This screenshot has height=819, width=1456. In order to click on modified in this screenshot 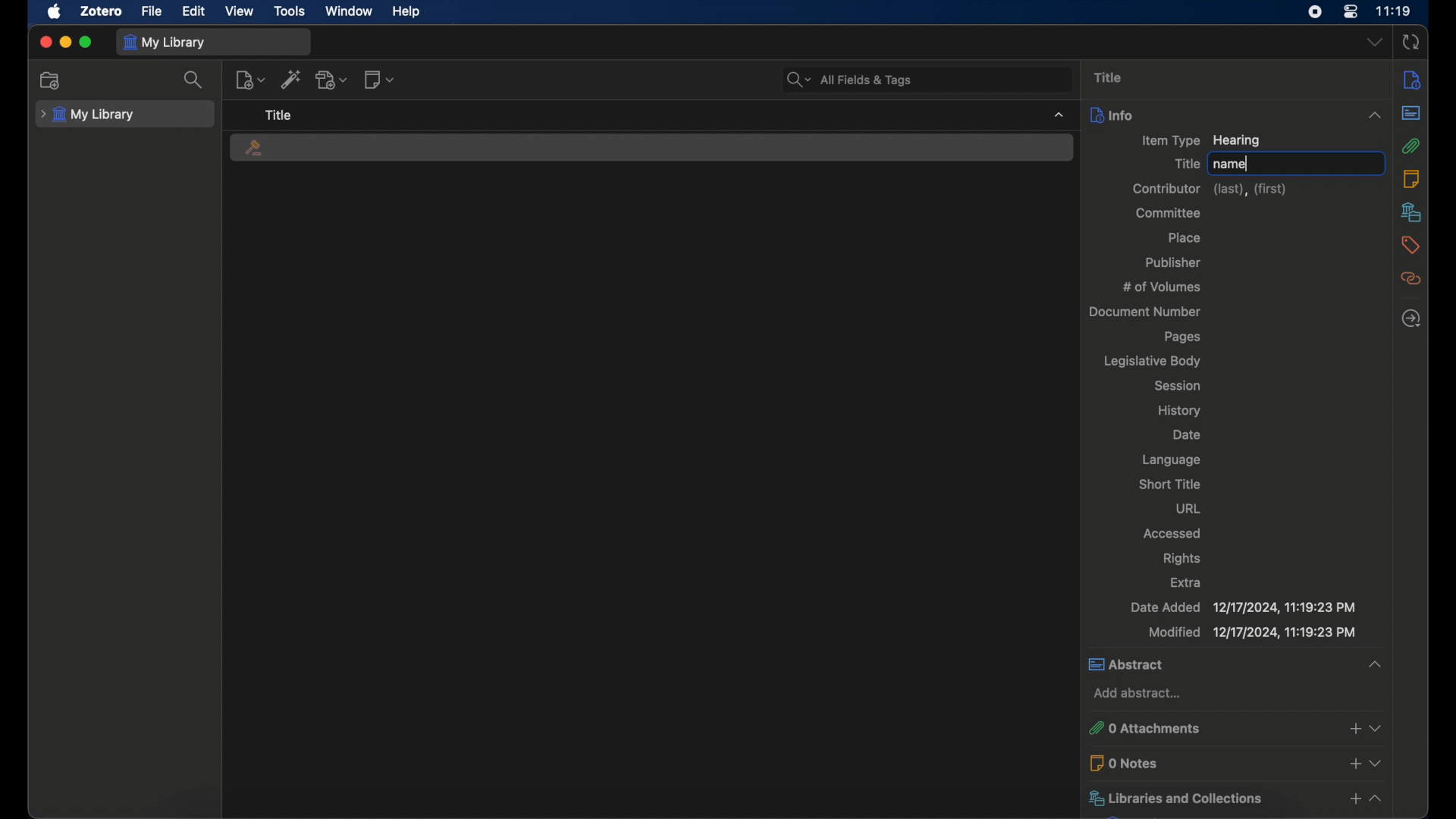, I will do `click(1251, 634)`.